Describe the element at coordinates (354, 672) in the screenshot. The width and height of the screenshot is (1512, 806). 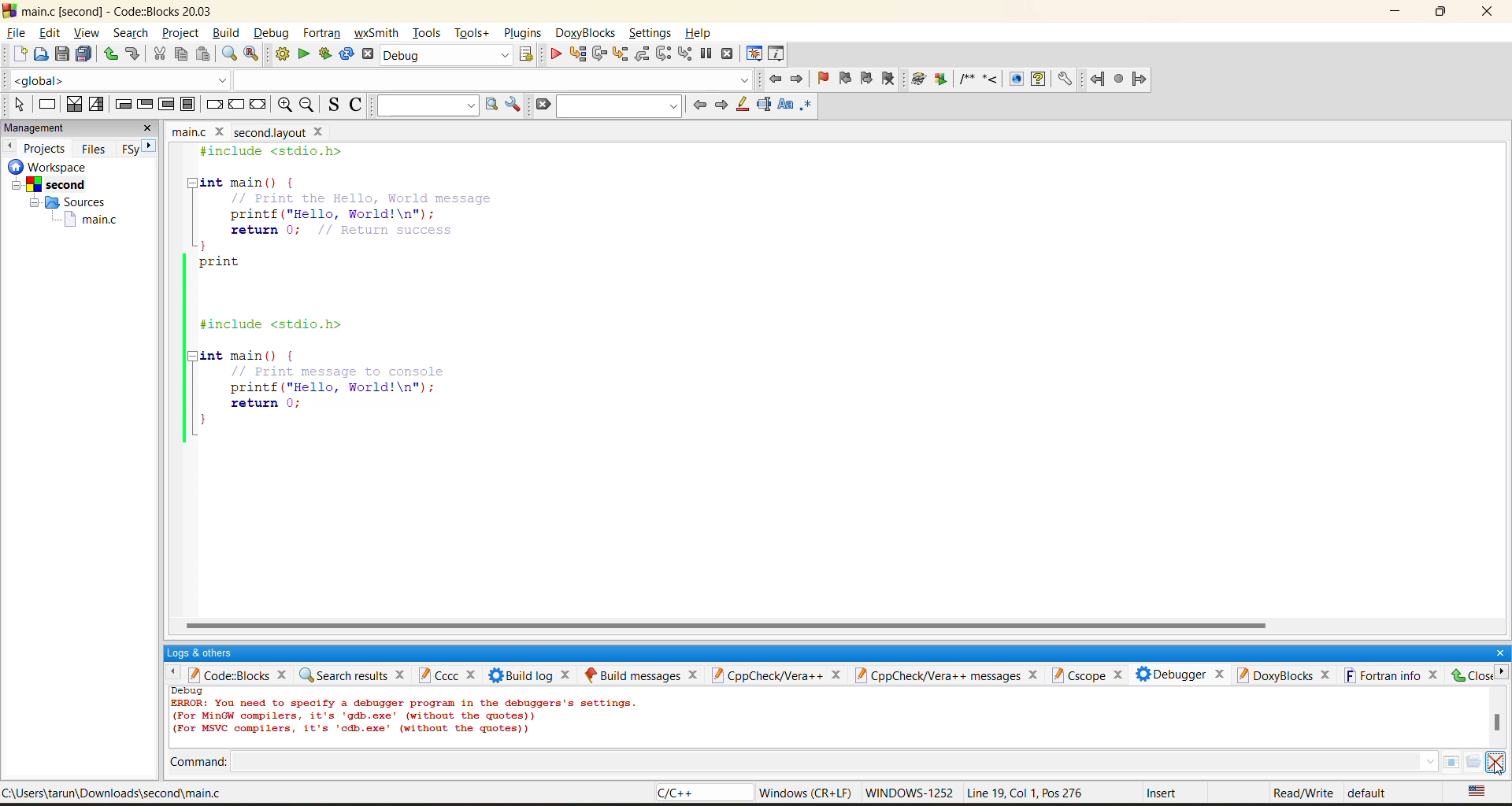
I see `search results` at that location.